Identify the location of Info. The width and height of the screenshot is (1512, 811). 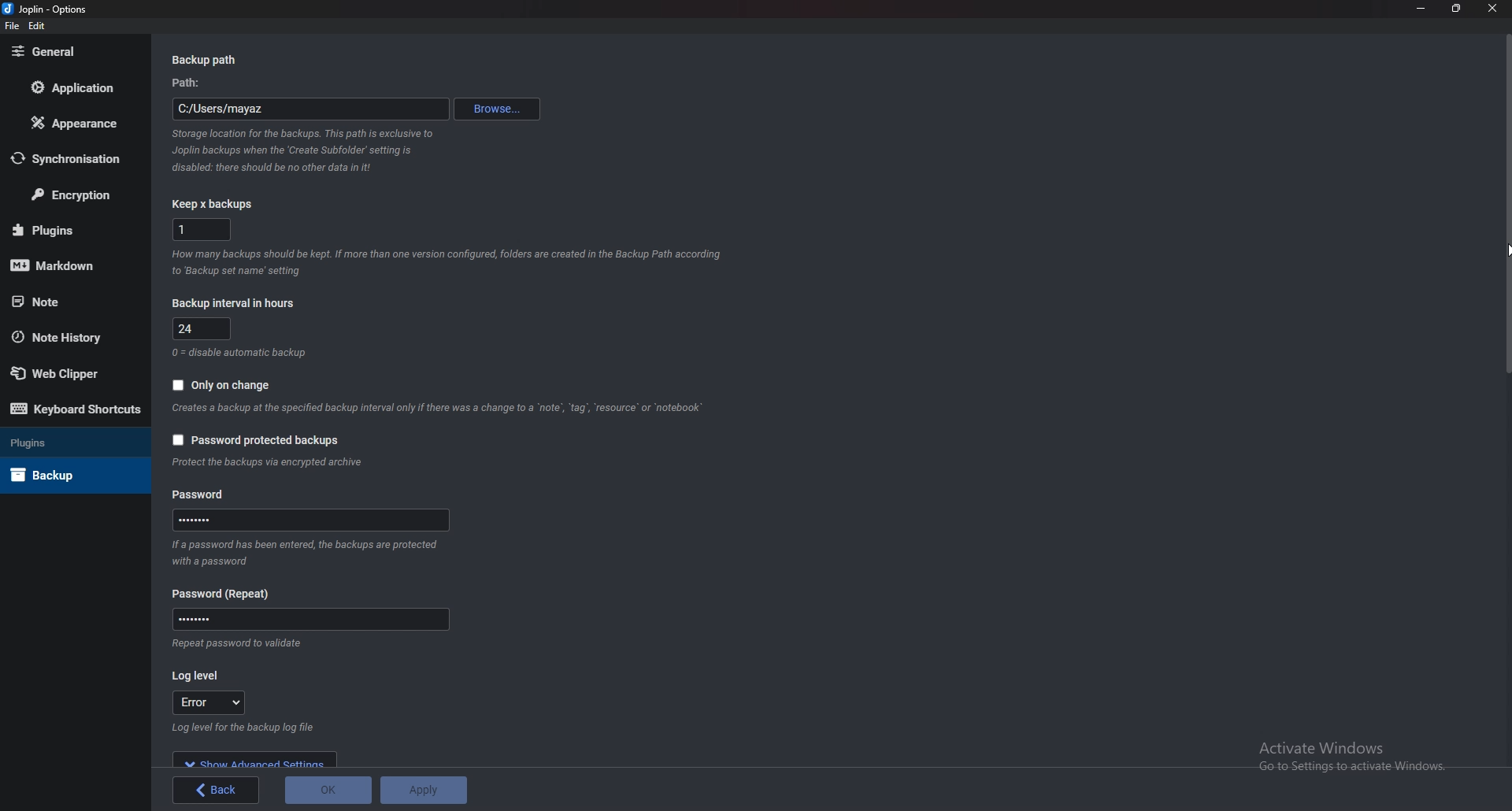
(447, 265).